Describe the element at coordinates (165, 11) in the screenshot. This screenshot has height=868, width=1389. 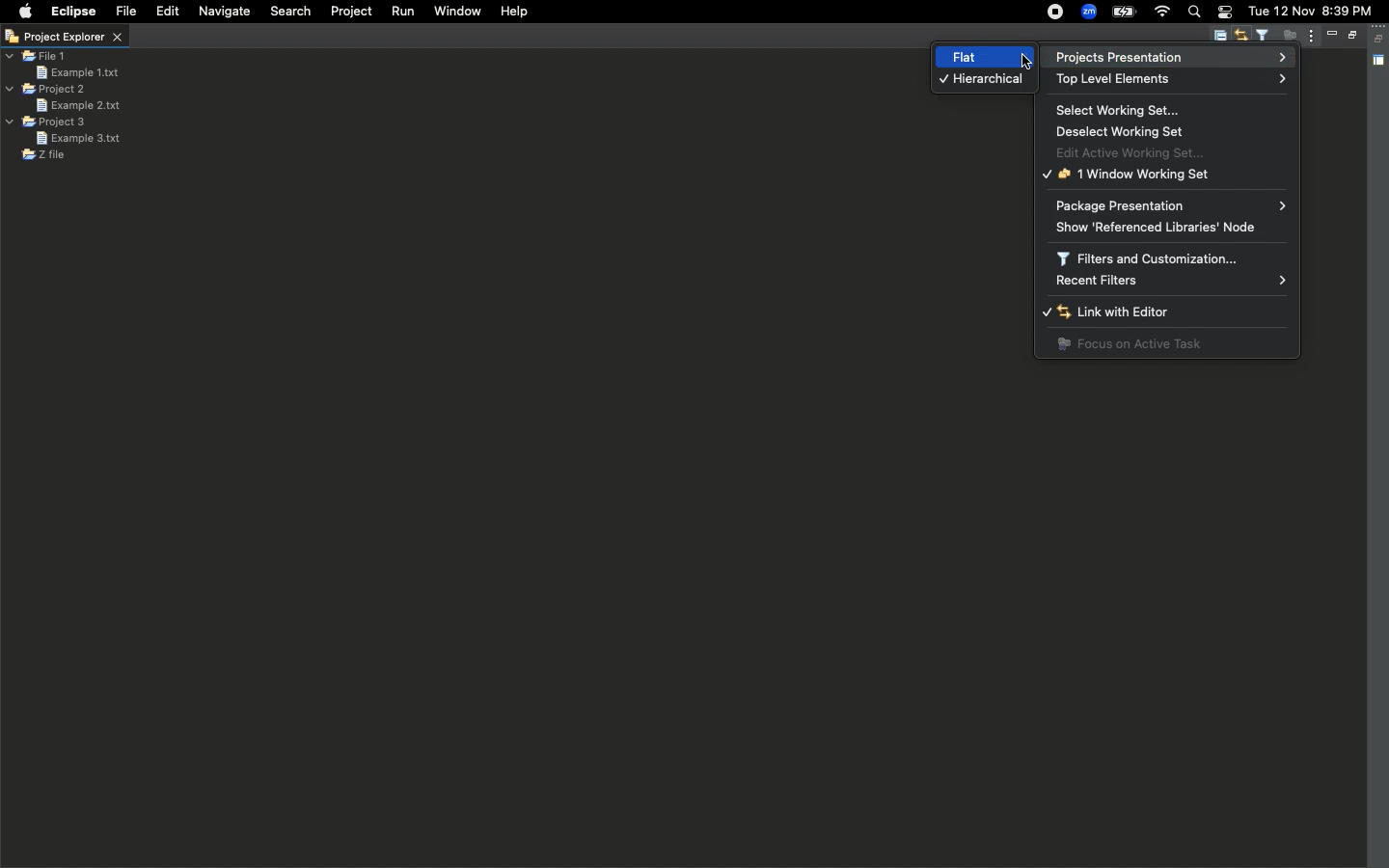
I see `Edit` at that location.